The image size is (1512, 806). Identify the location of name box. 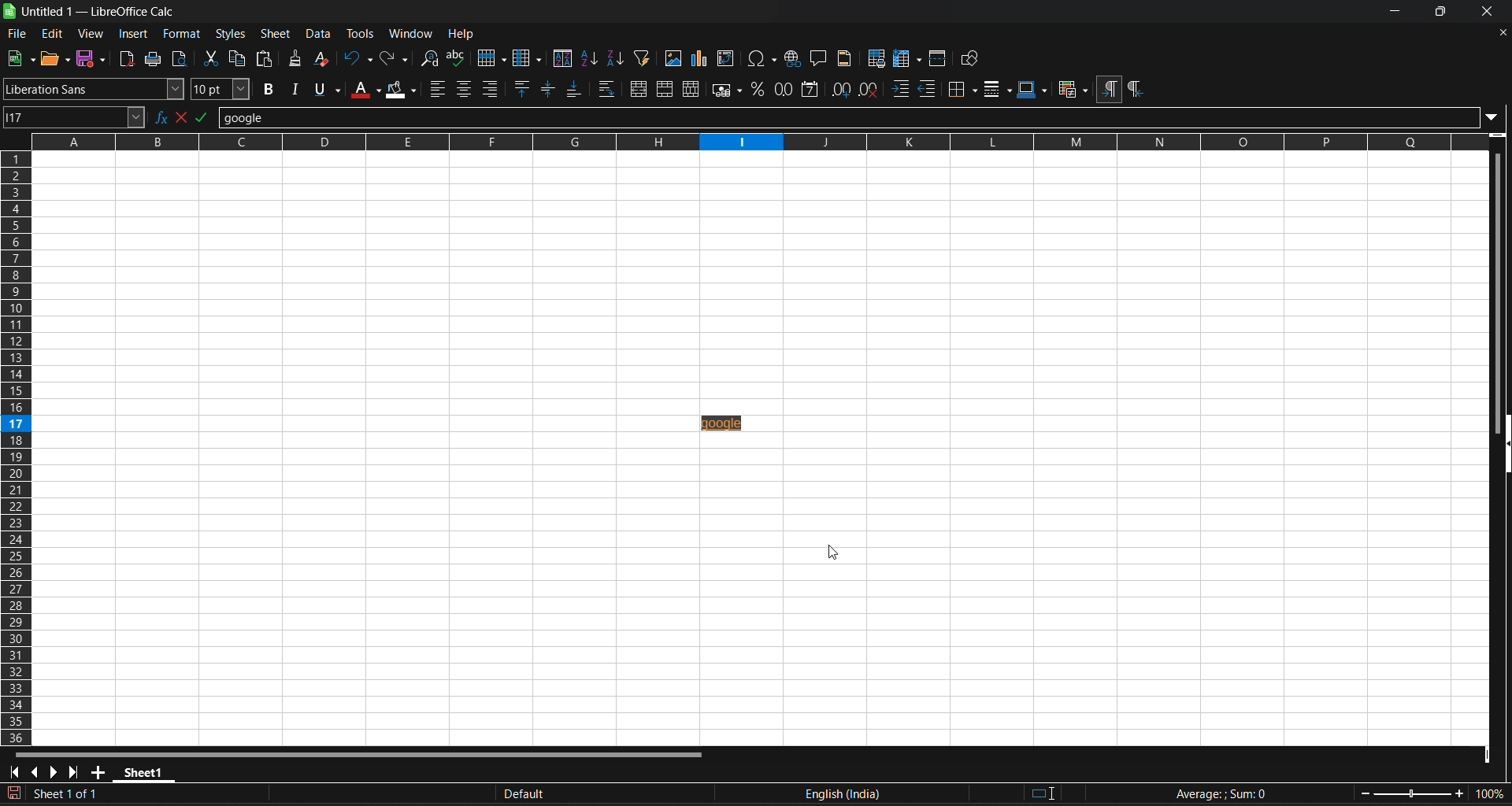
(76, 117).